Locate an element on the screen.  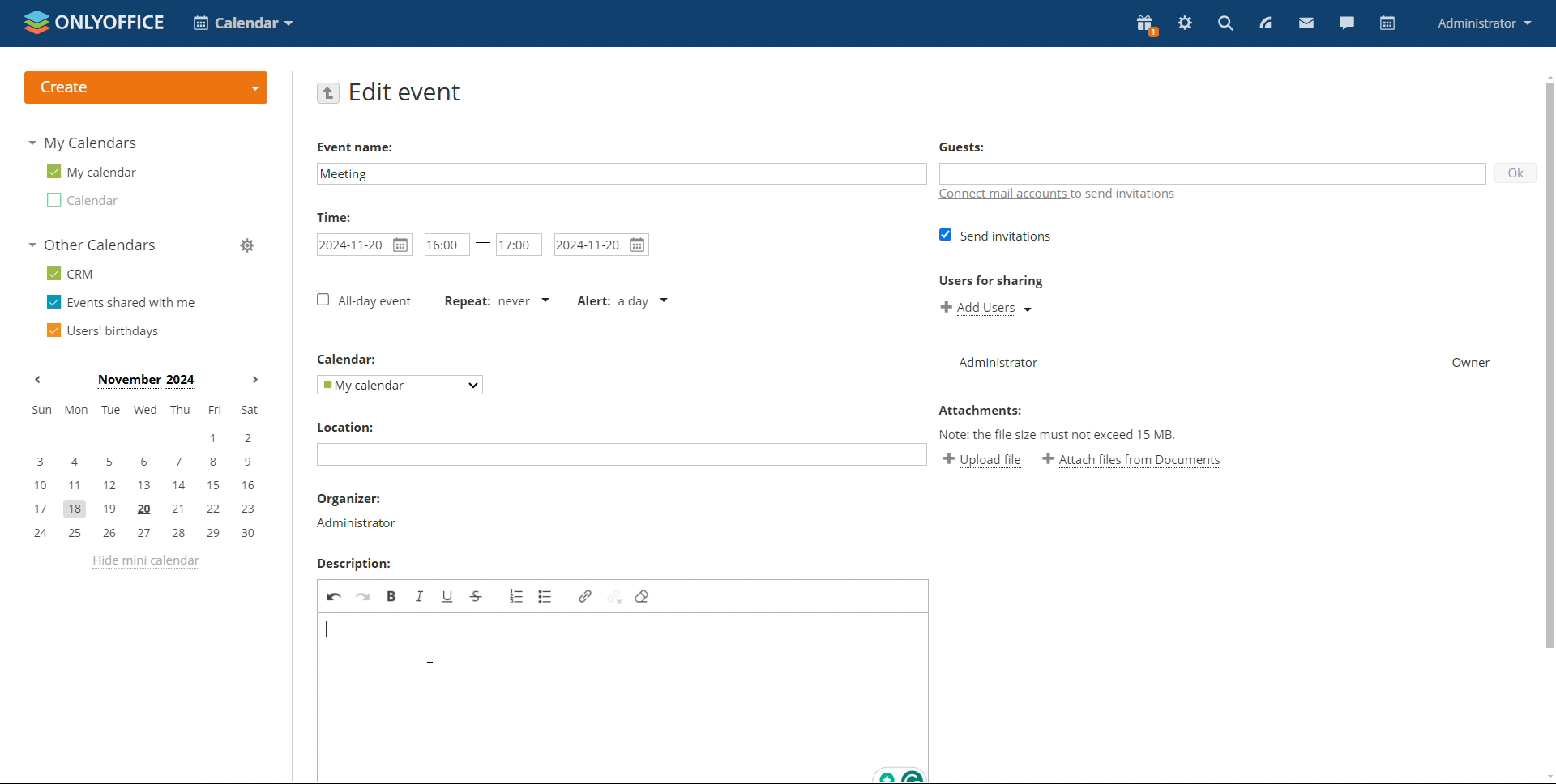
users' birthdays is located at coordinates (103, 330).